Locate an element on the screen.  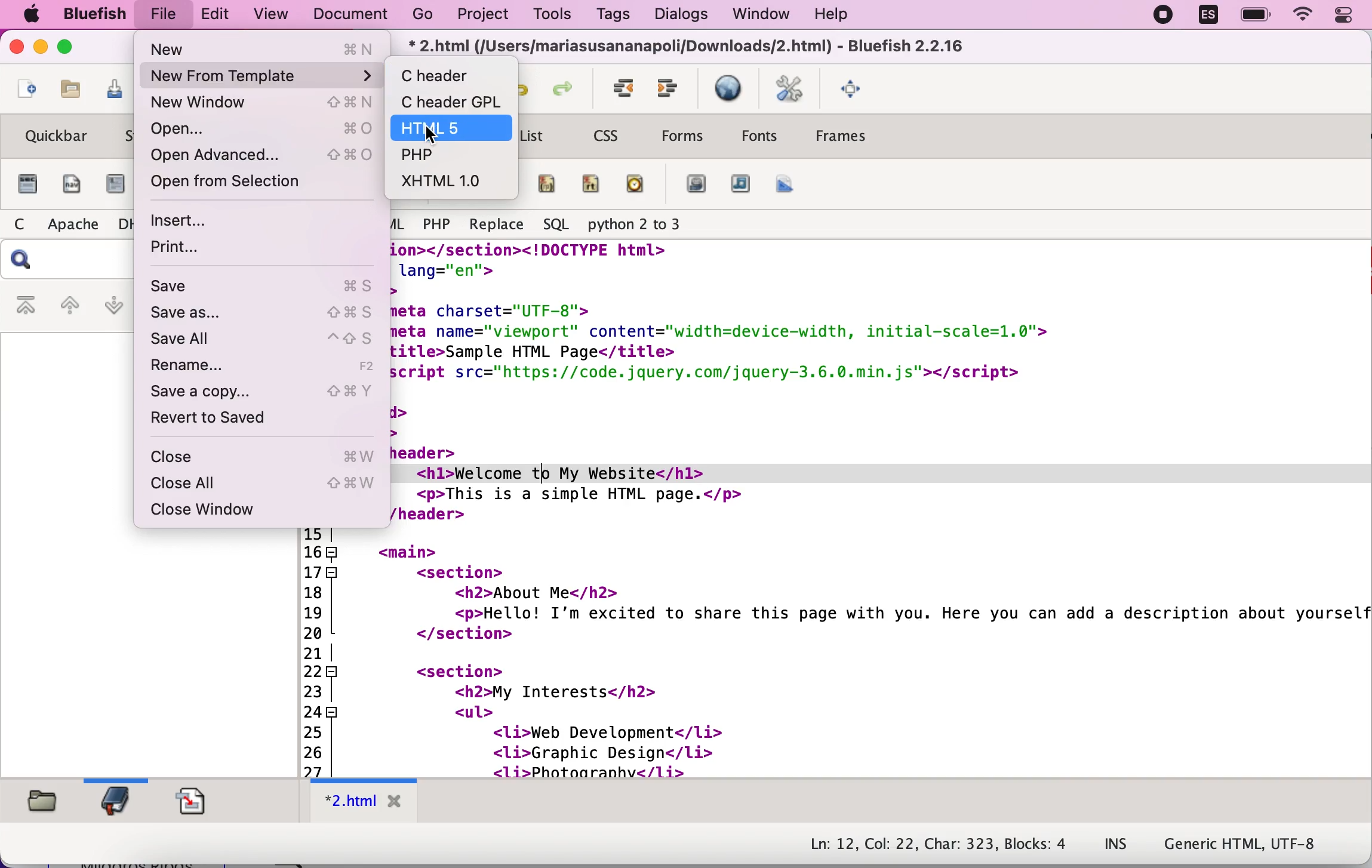
xhtml 1.0 is located at coordinates (457, 181).